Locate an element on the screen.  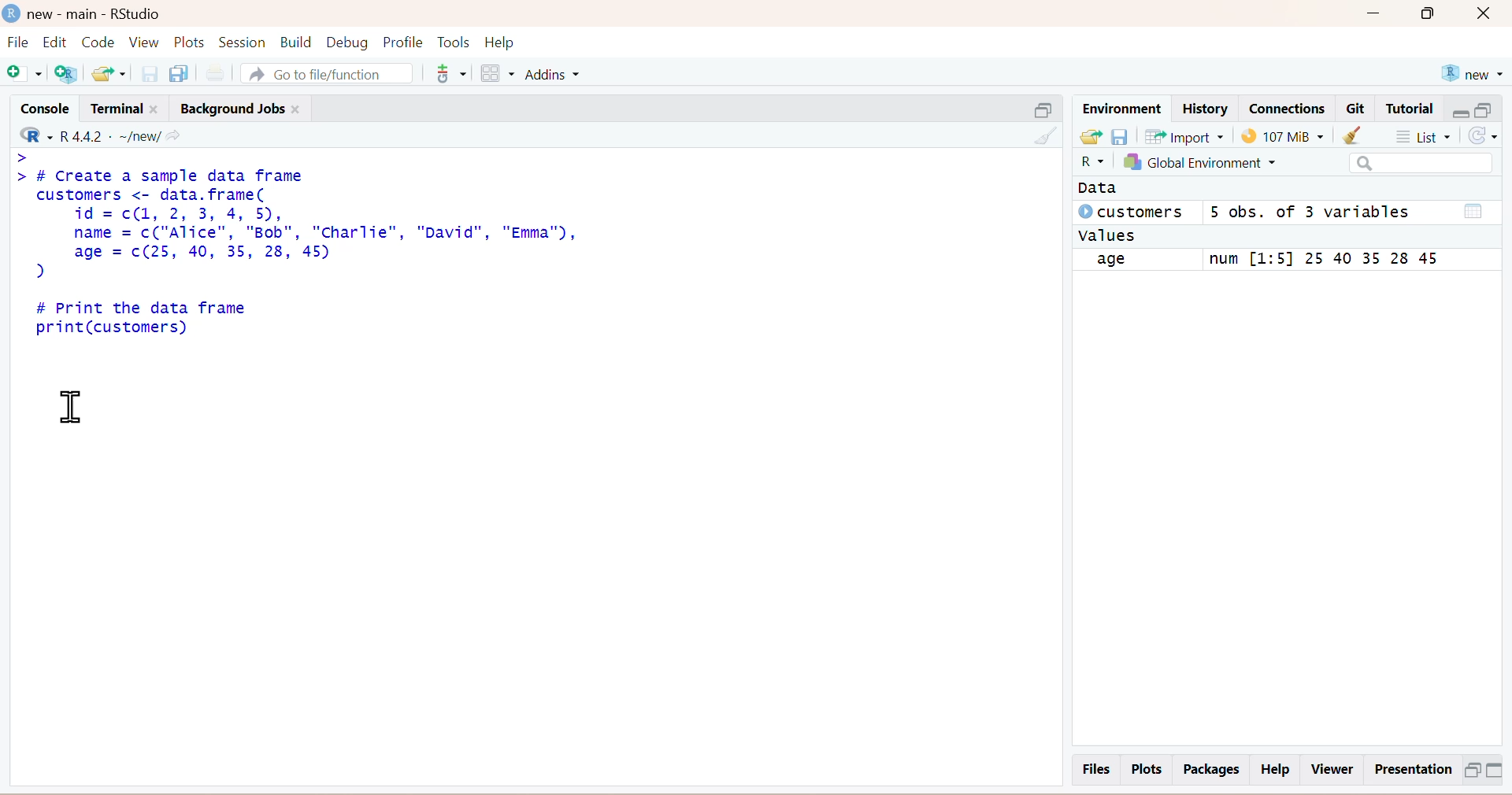
View is located at coordinates (145, 42).